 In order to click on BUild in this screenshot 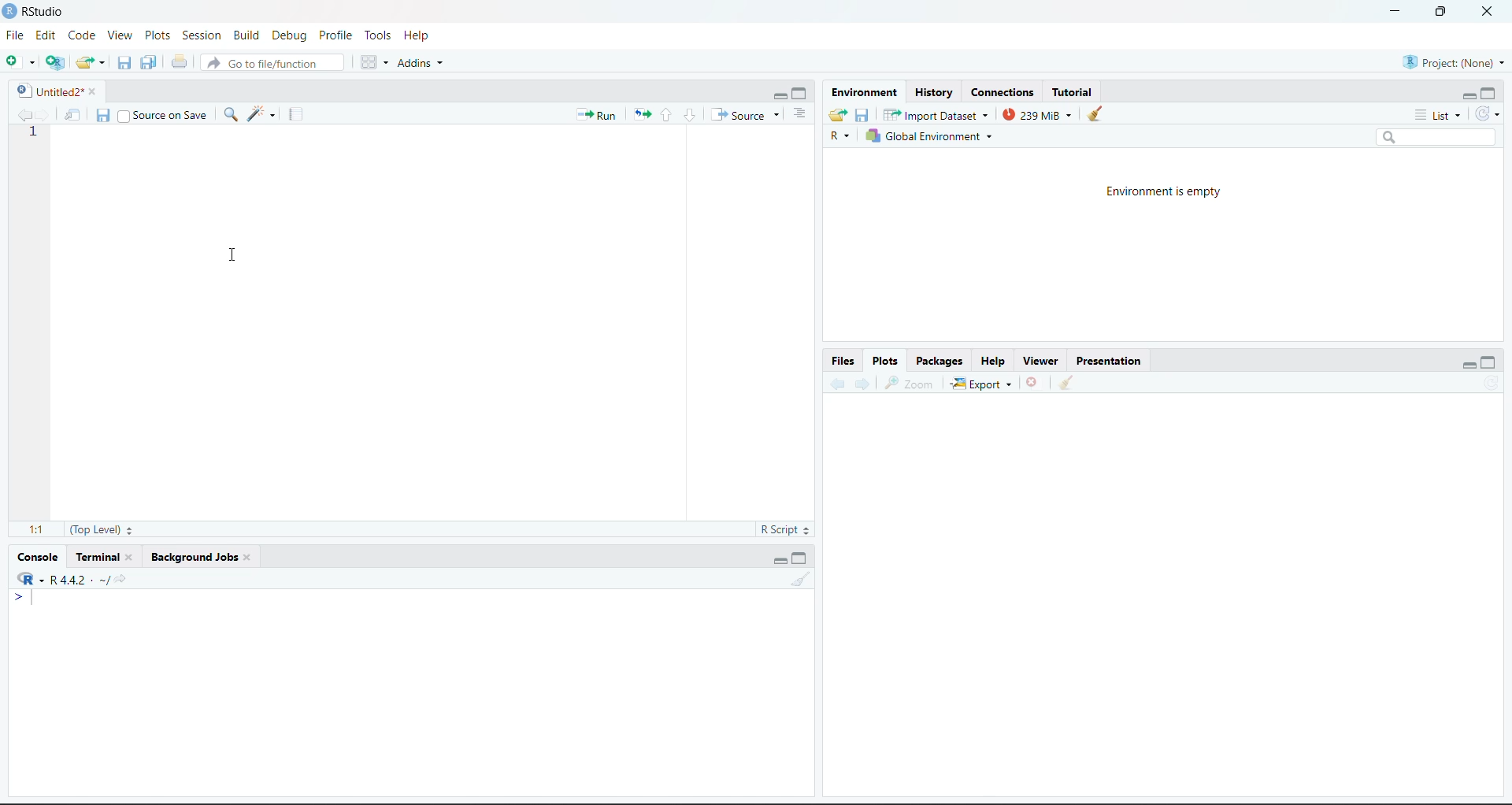, I will do `click(250, 34)`.